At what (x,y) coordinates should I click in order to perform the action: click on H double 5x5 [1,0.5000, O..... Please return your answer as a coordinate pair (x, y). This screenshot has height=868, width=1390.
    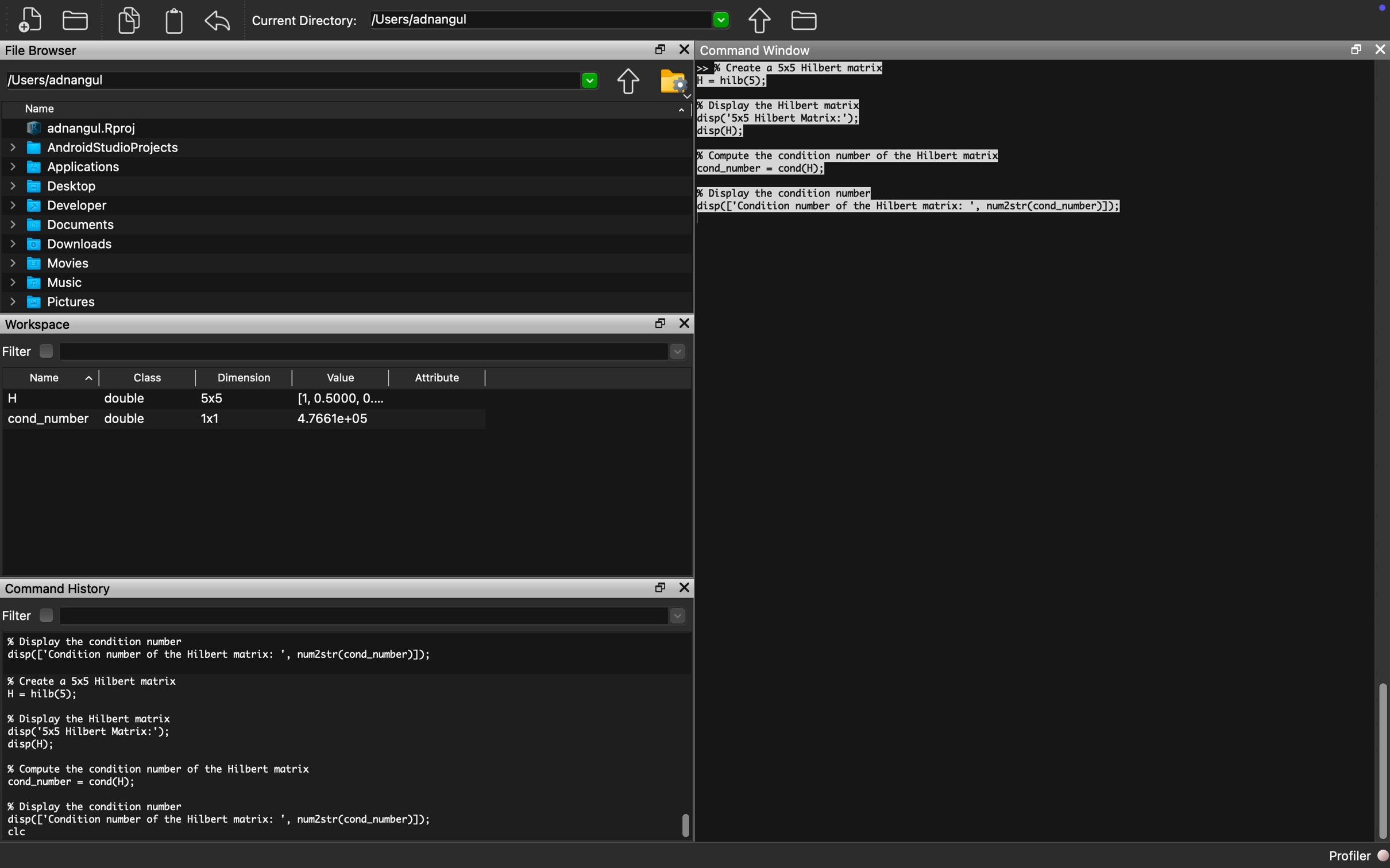
    Looking at the image, I should click on (199, 400).